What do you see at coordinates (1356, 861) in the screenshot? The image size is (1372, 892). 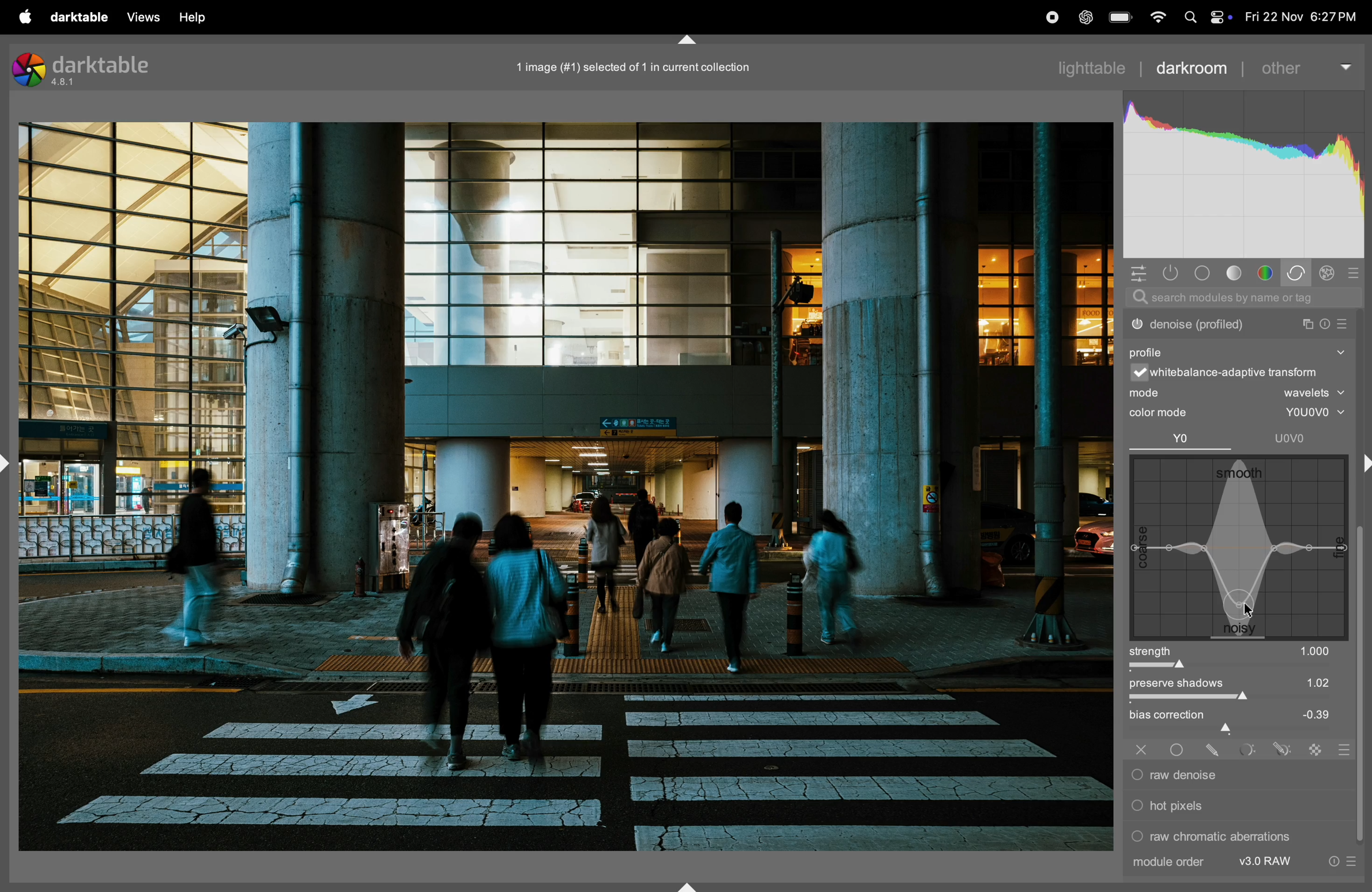 I see `presets` at bounding box center [1356, 861].